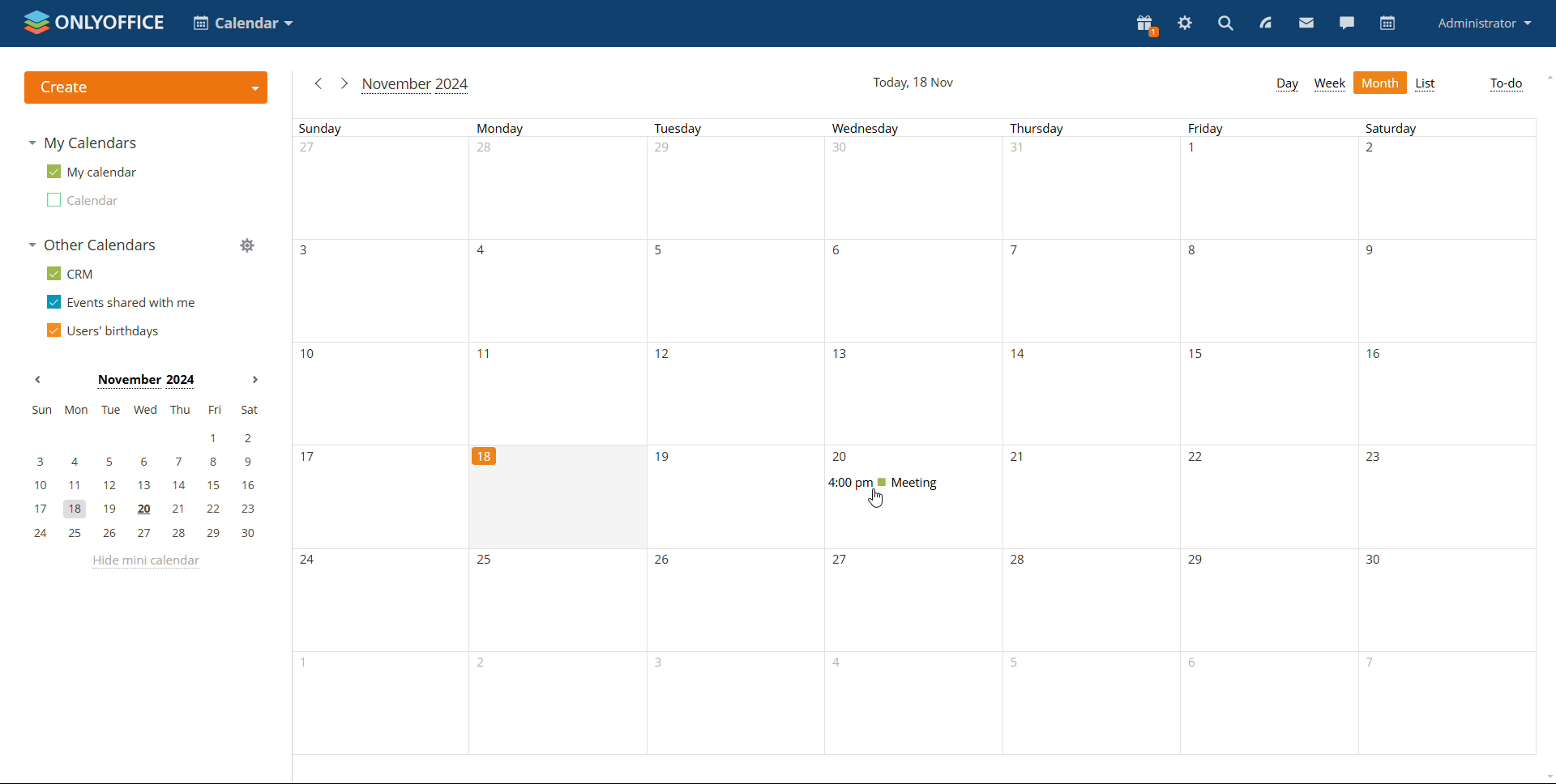 Image resolution: width=1556 pixels, height=784 pixels. What do you see at coordinates (1546, 777) in the screenshot?
I see `scroll down` at bounding box center [1546, 777].